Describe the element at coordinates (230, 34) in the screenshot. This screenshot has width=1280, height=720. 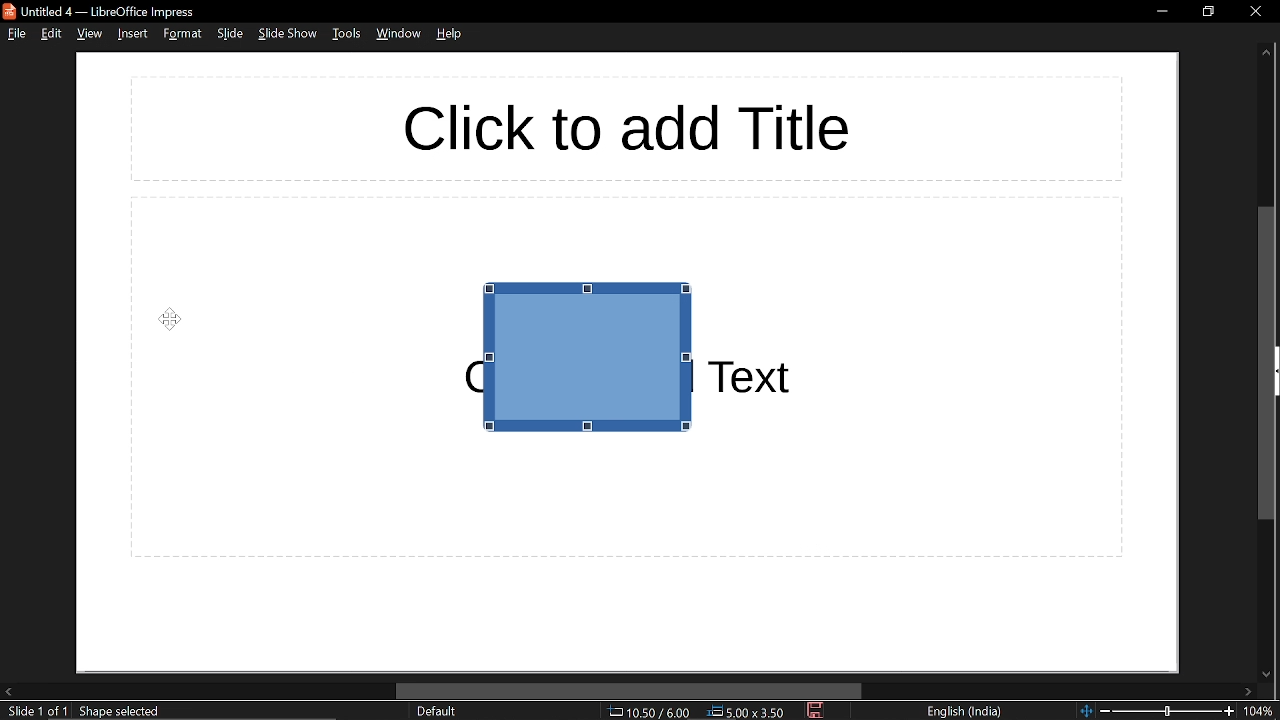
I see `slide` at that location.